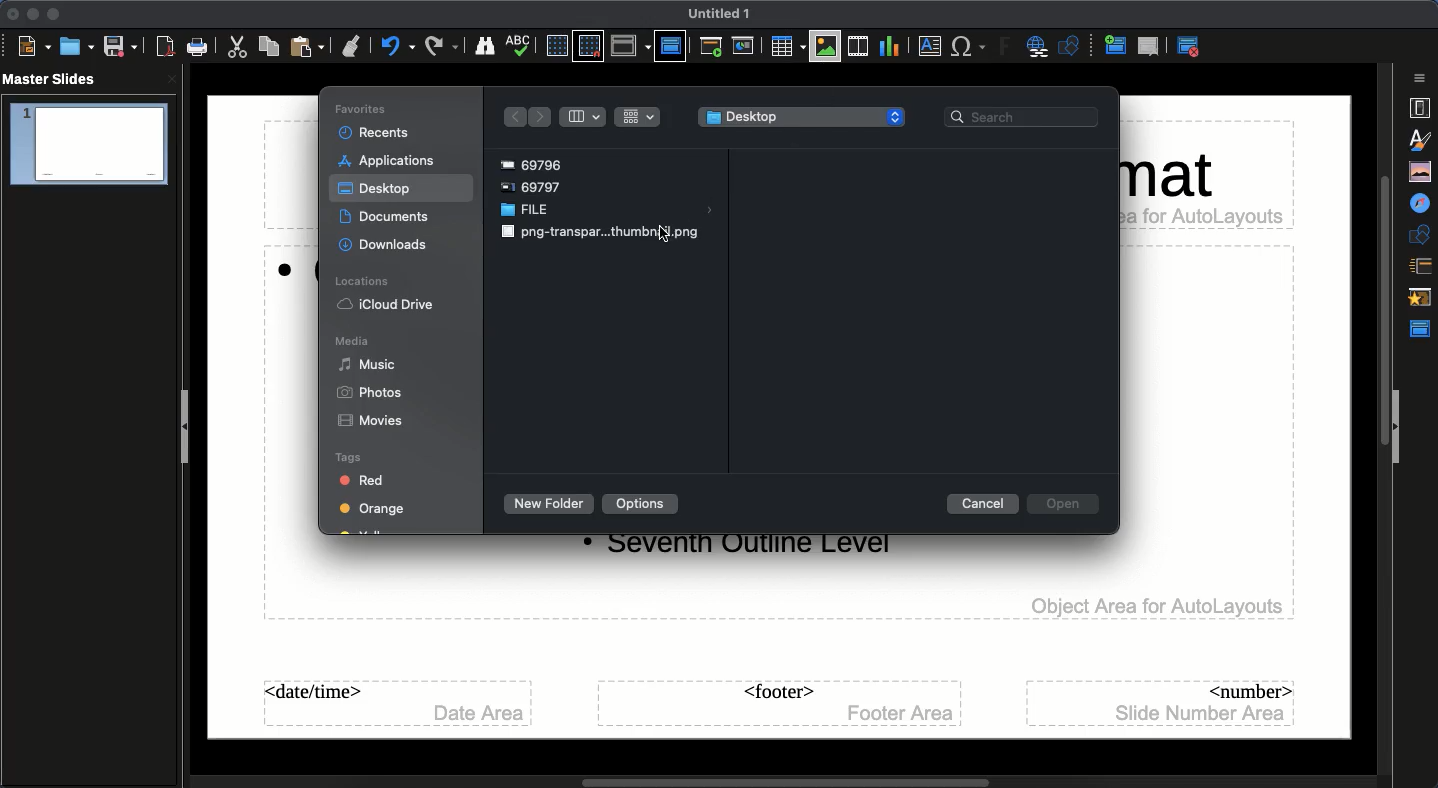 Image resolution: width=1438 pixels, height=788 pixels. I want to click on Shapes, so click(1422, 234).